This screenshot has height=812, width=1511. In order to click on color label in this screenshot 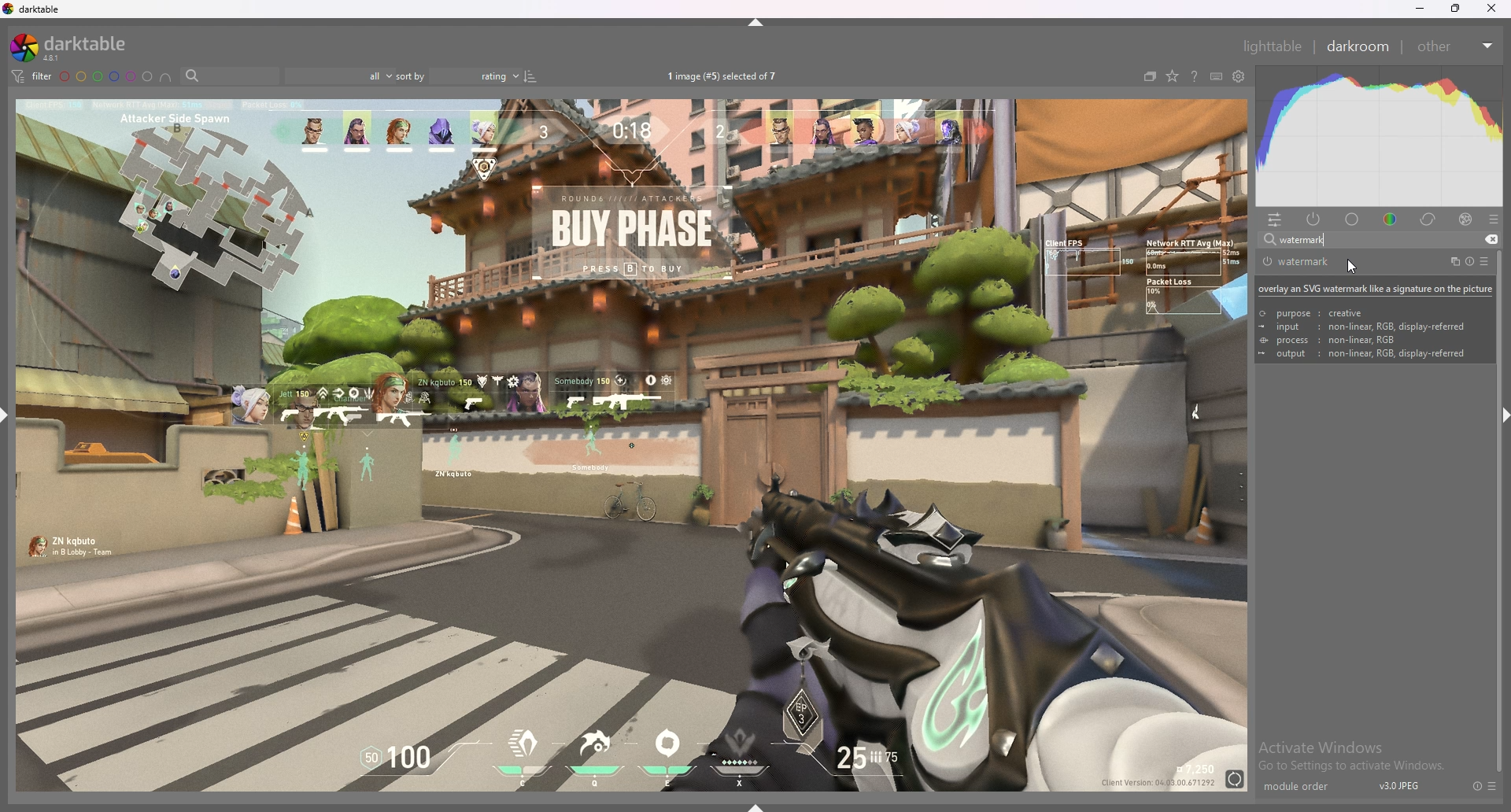, I will do `click(107, 76)`.